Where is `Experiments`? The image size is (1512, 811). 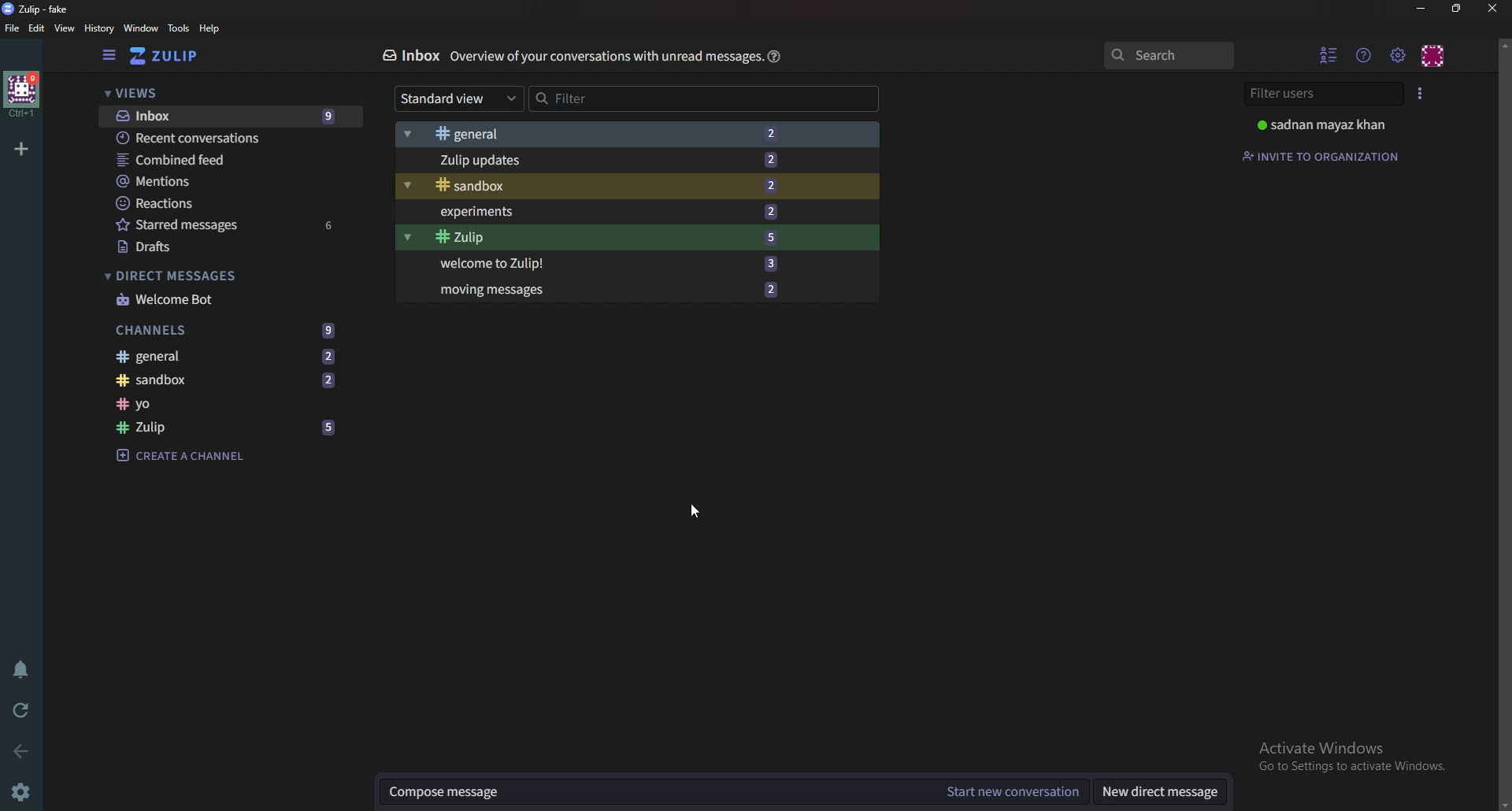 Experiments is located at coordinates (623, 213).